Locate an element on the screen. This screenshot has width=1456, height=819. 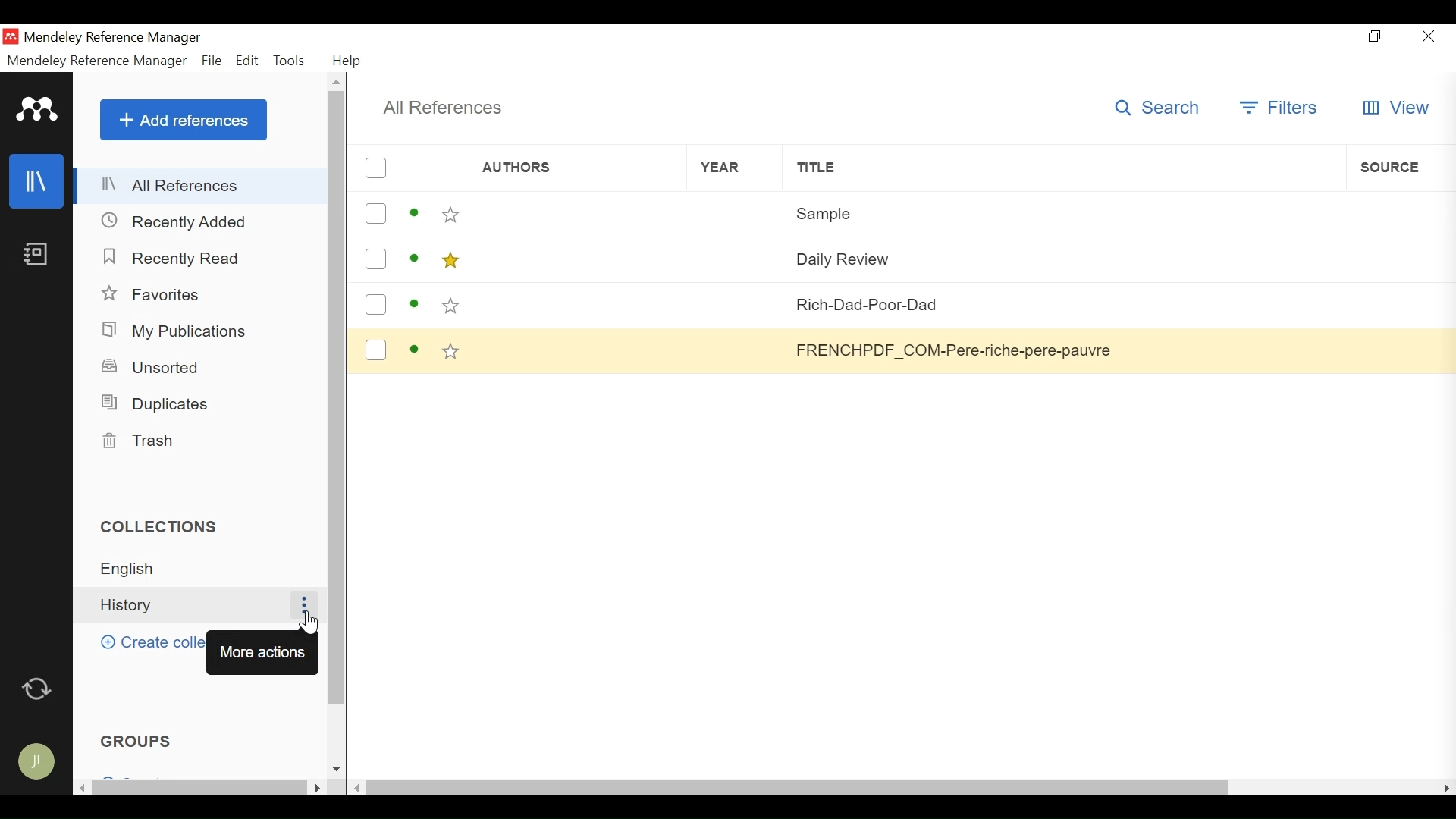
Edit is located at coordinates (248, 61).